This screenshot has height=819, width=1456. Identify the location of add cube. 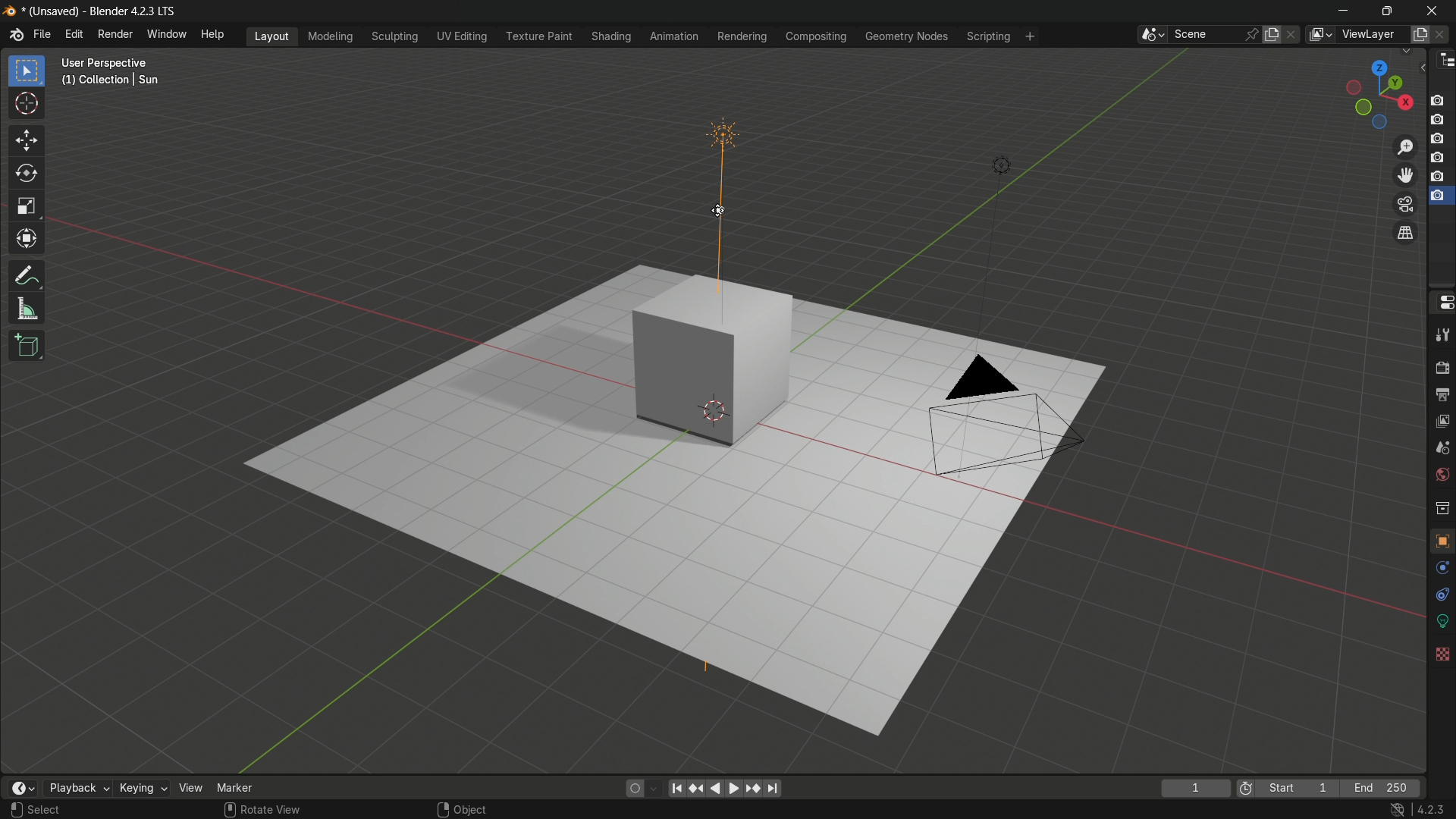
(29, 346).